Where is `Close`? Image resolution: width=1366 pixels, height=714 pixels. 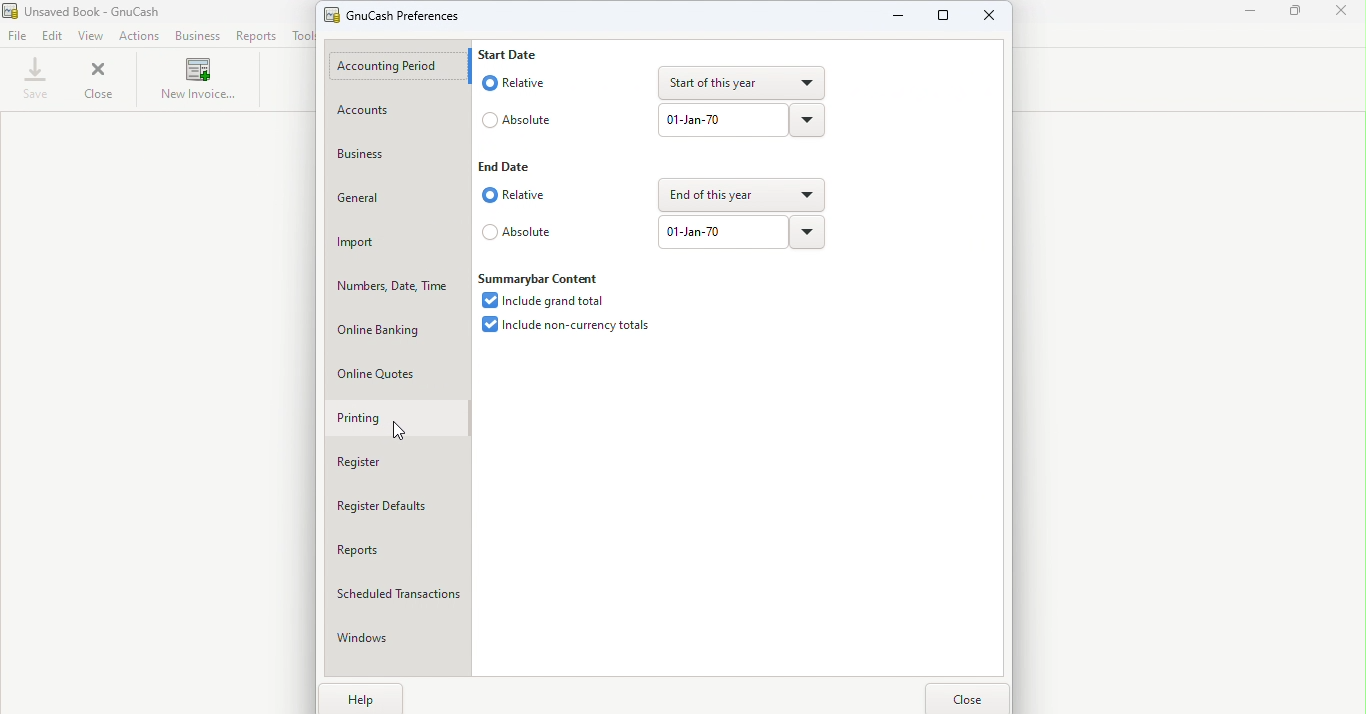 Close is located at coordinates (100, 83).